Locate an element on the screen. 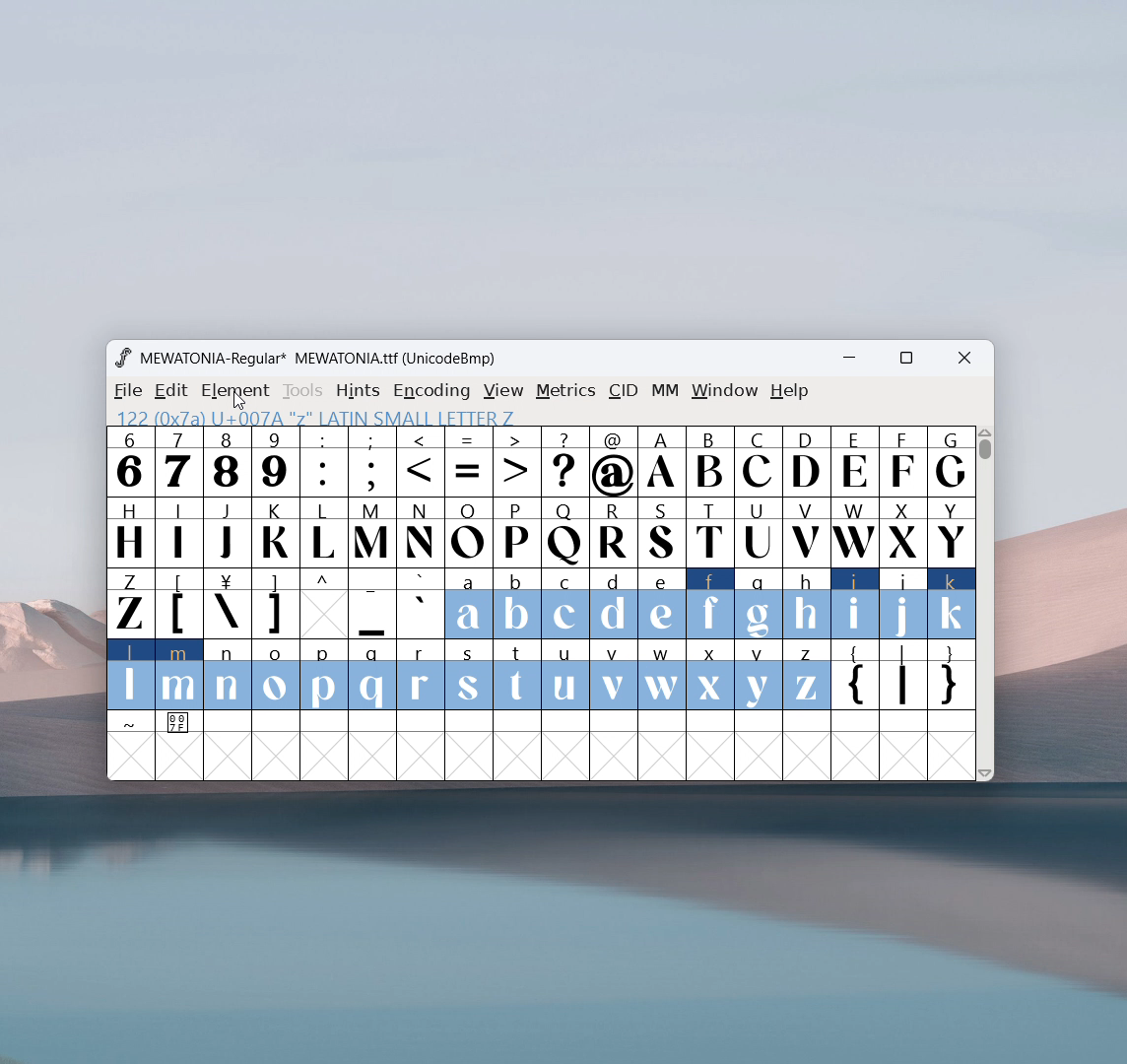 The image size is (1127, 1064). k is located at coordinates (953, 604).